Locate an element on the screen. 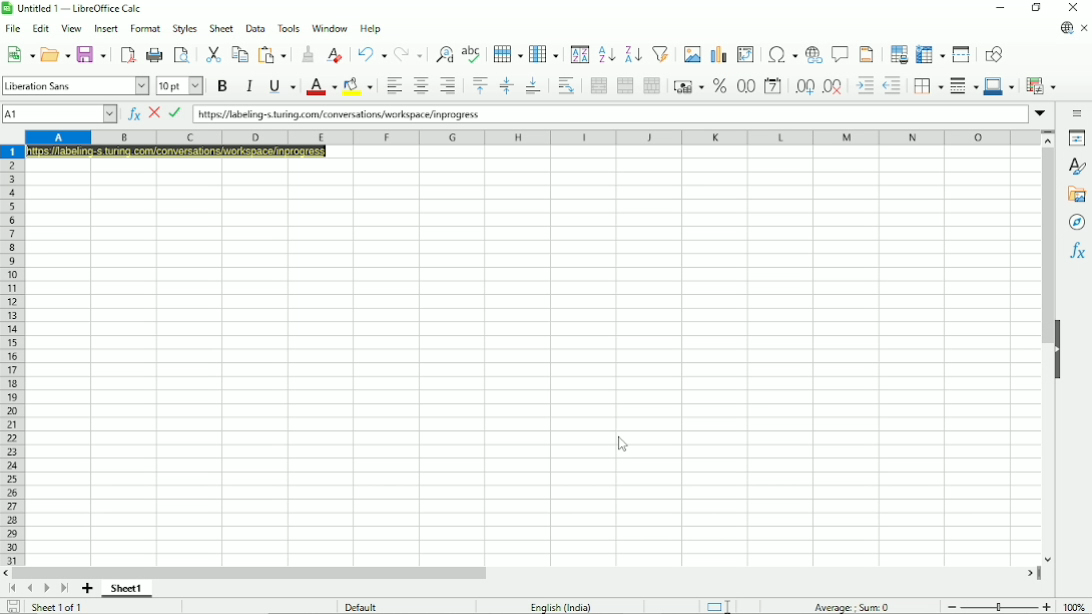  Edit is located at coordinates (41, 28).